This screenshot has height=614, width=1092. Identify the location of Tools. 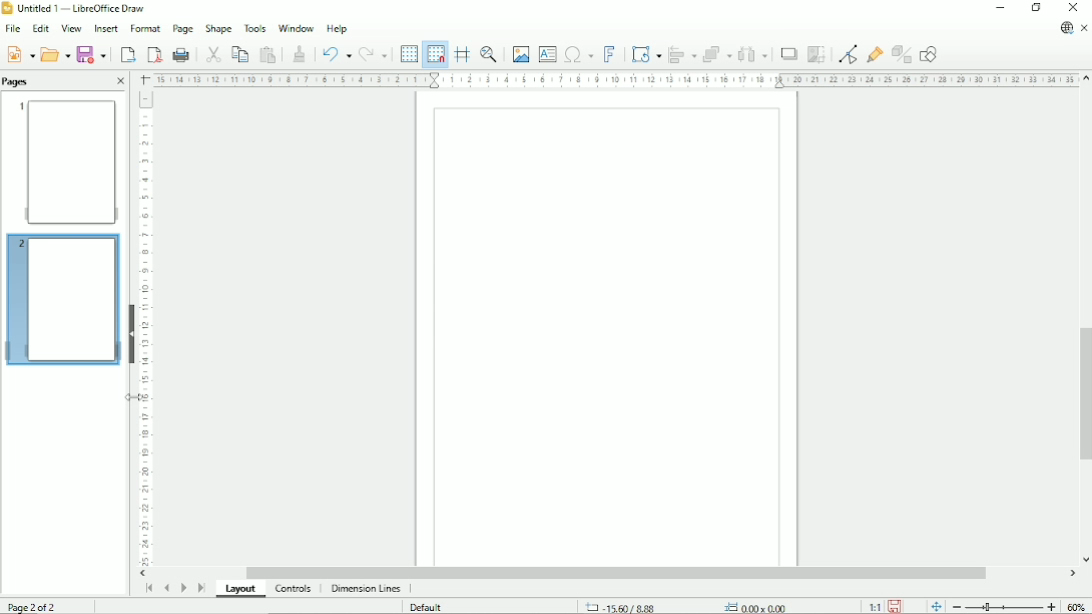
(255, 27).